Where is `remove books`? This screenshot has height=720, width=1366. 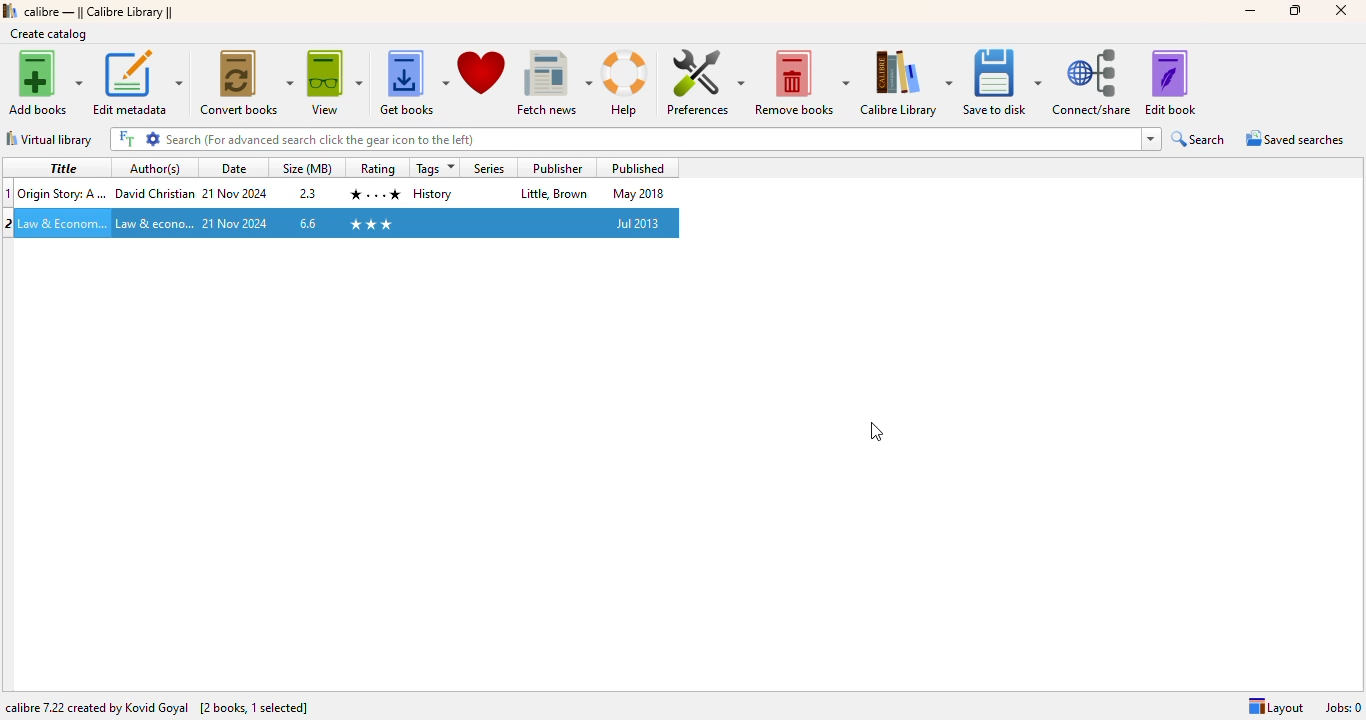
remove books is located at coordinates (802, 81).